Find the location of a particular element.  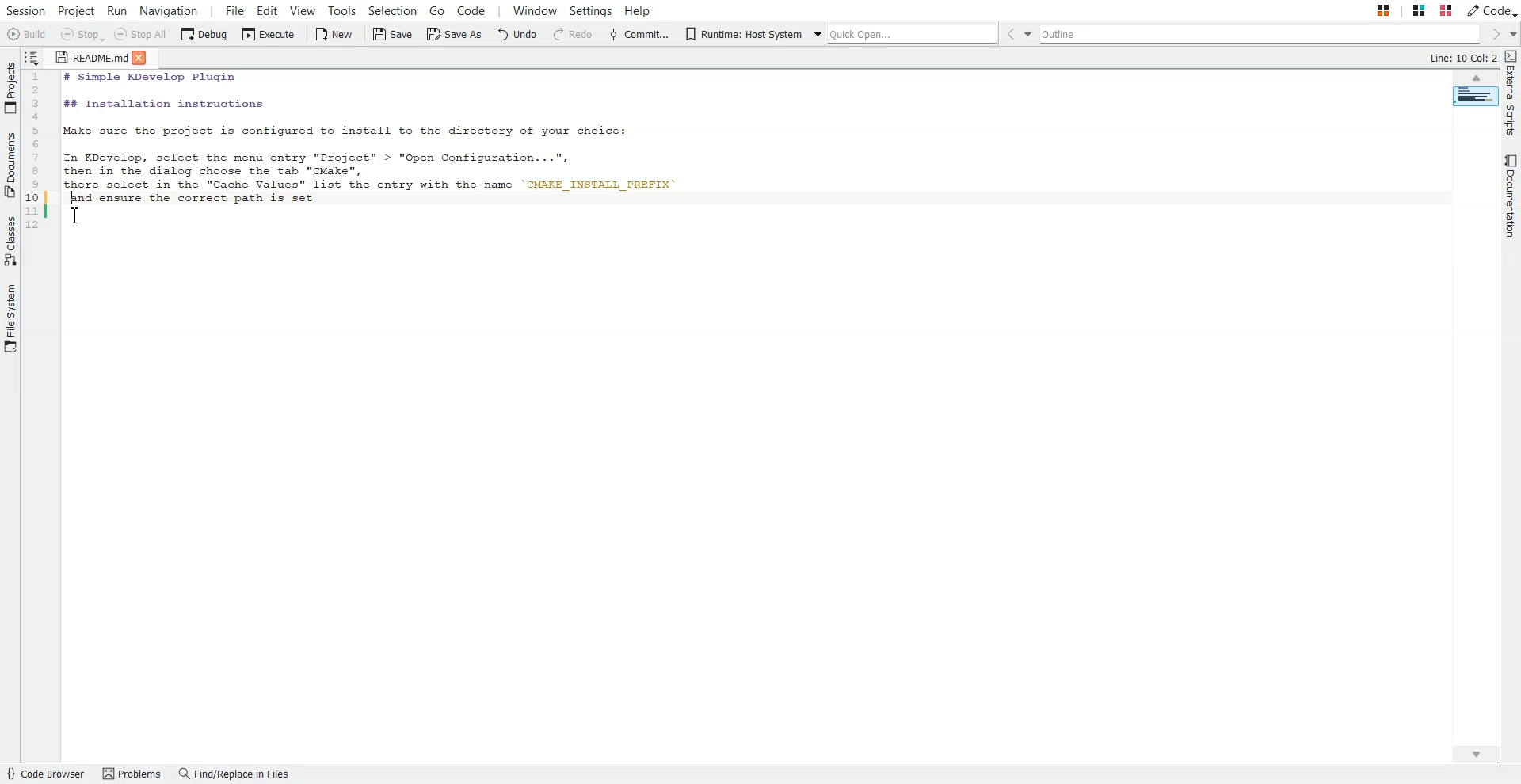

Edit is located at coordinates (268, 10).